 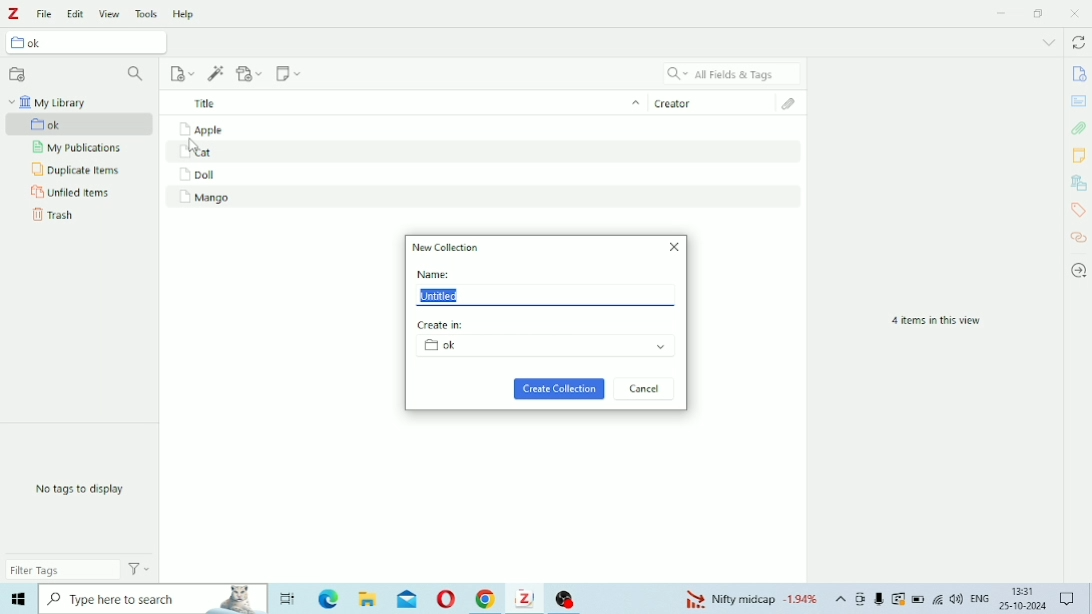 What do you see at coordinates (1040, 13) in the screenshot?
I see `Restore down` at bounding box center [1040, 13].